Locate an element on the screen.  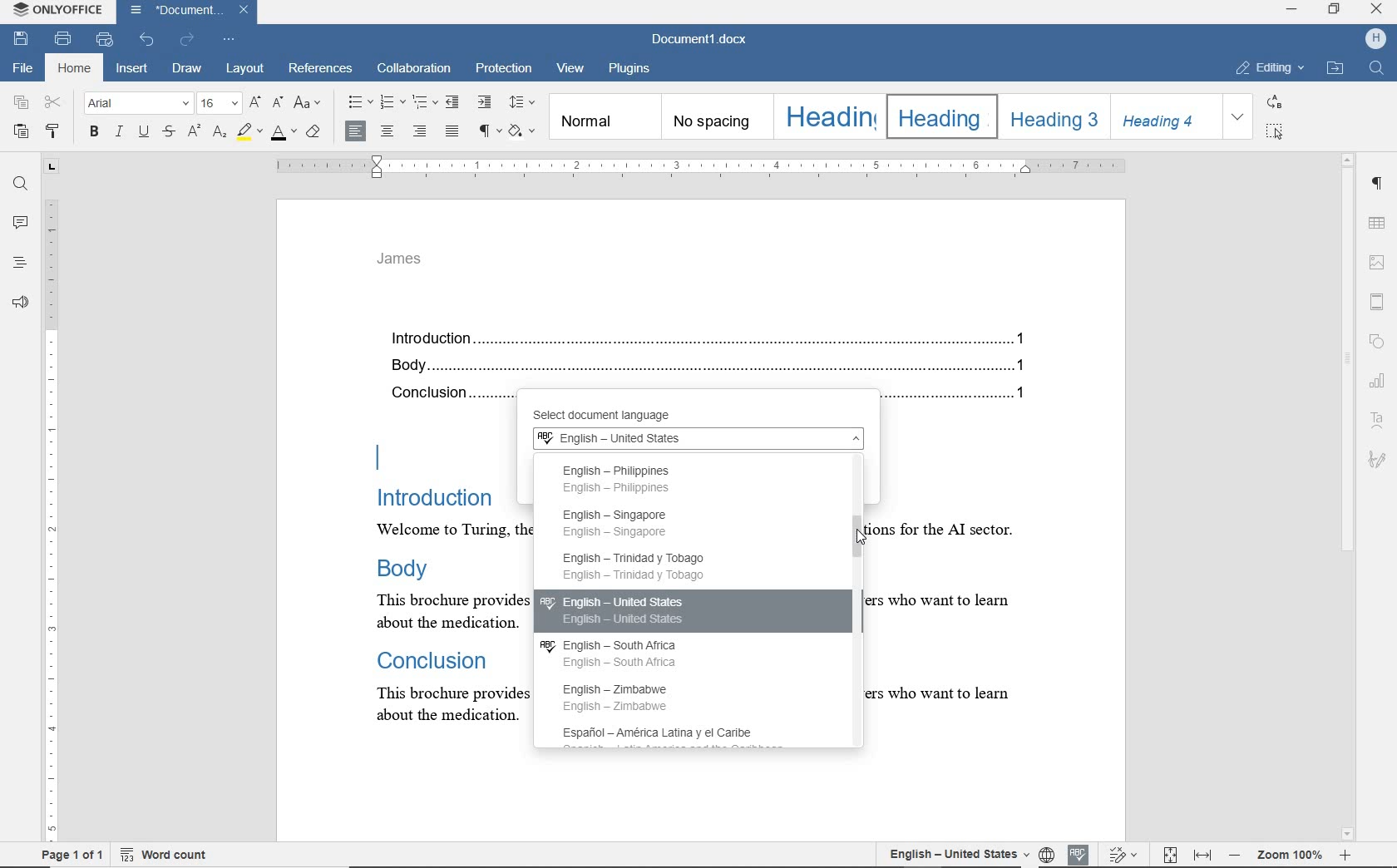
multilevel list is located at coordinates (423, 101).